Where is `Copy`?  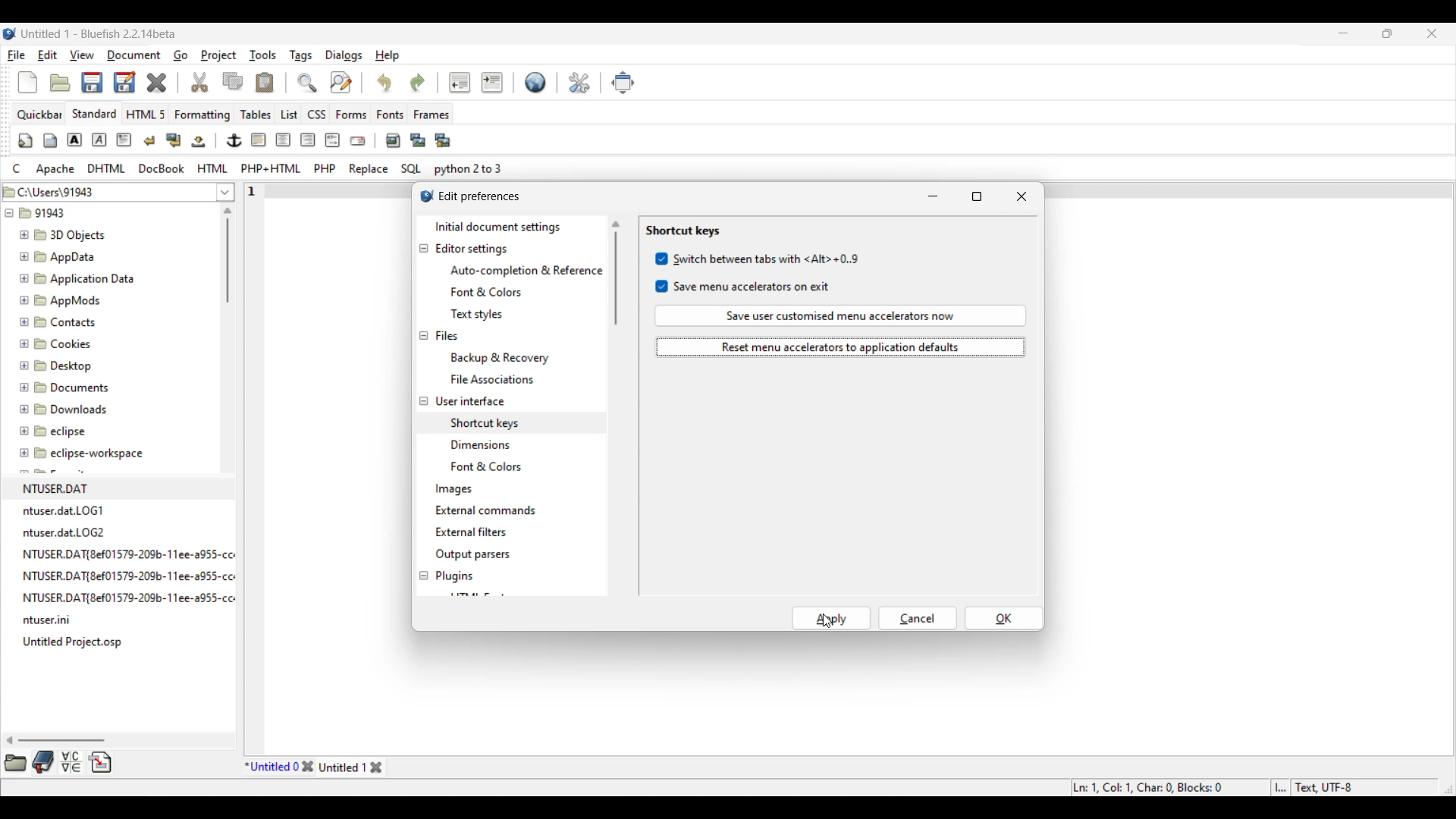
Copy is located at coordinates (233, 81).